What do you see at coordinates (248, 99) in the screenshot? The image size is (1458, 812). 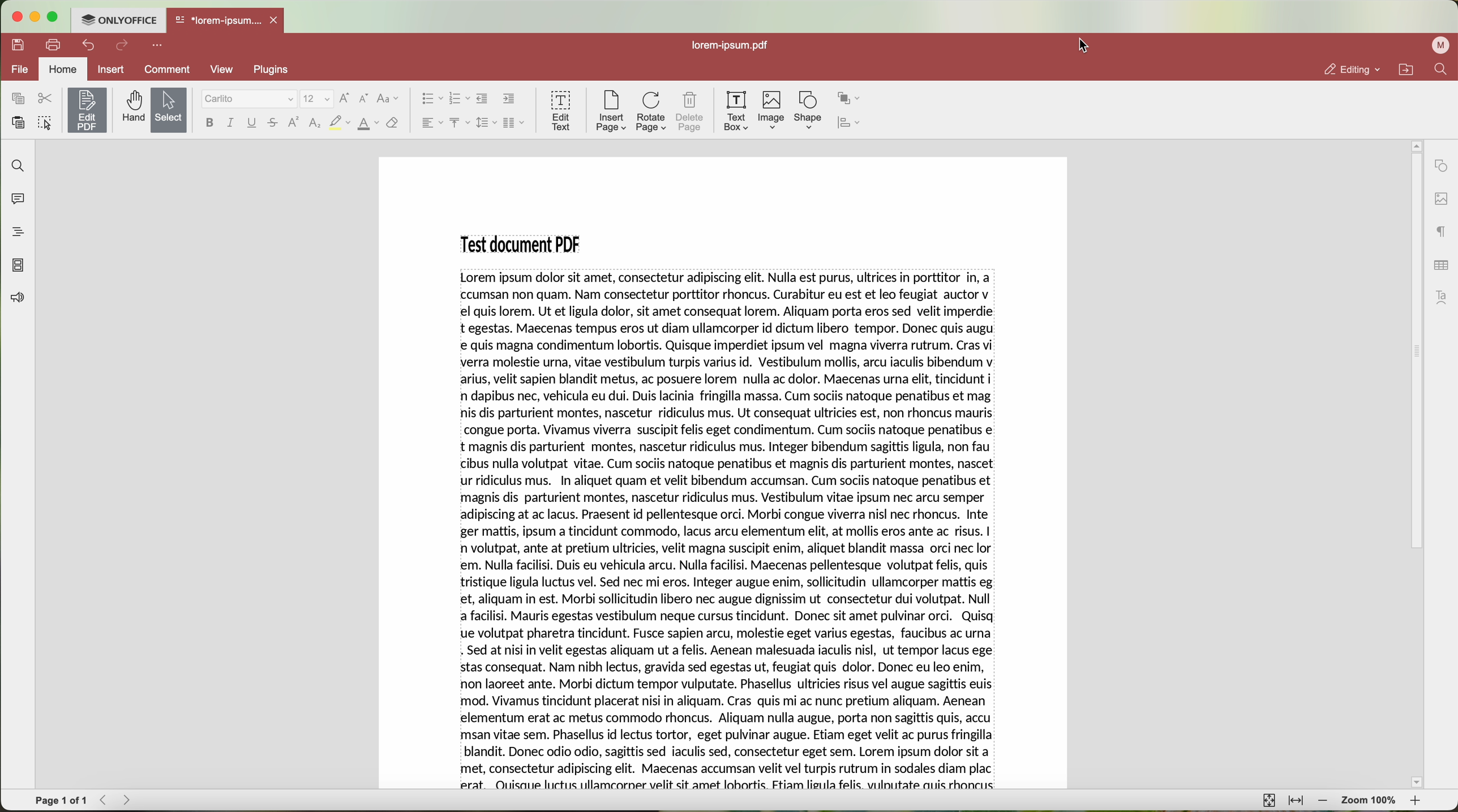 I see `font type` at bounding box center [248, 99].